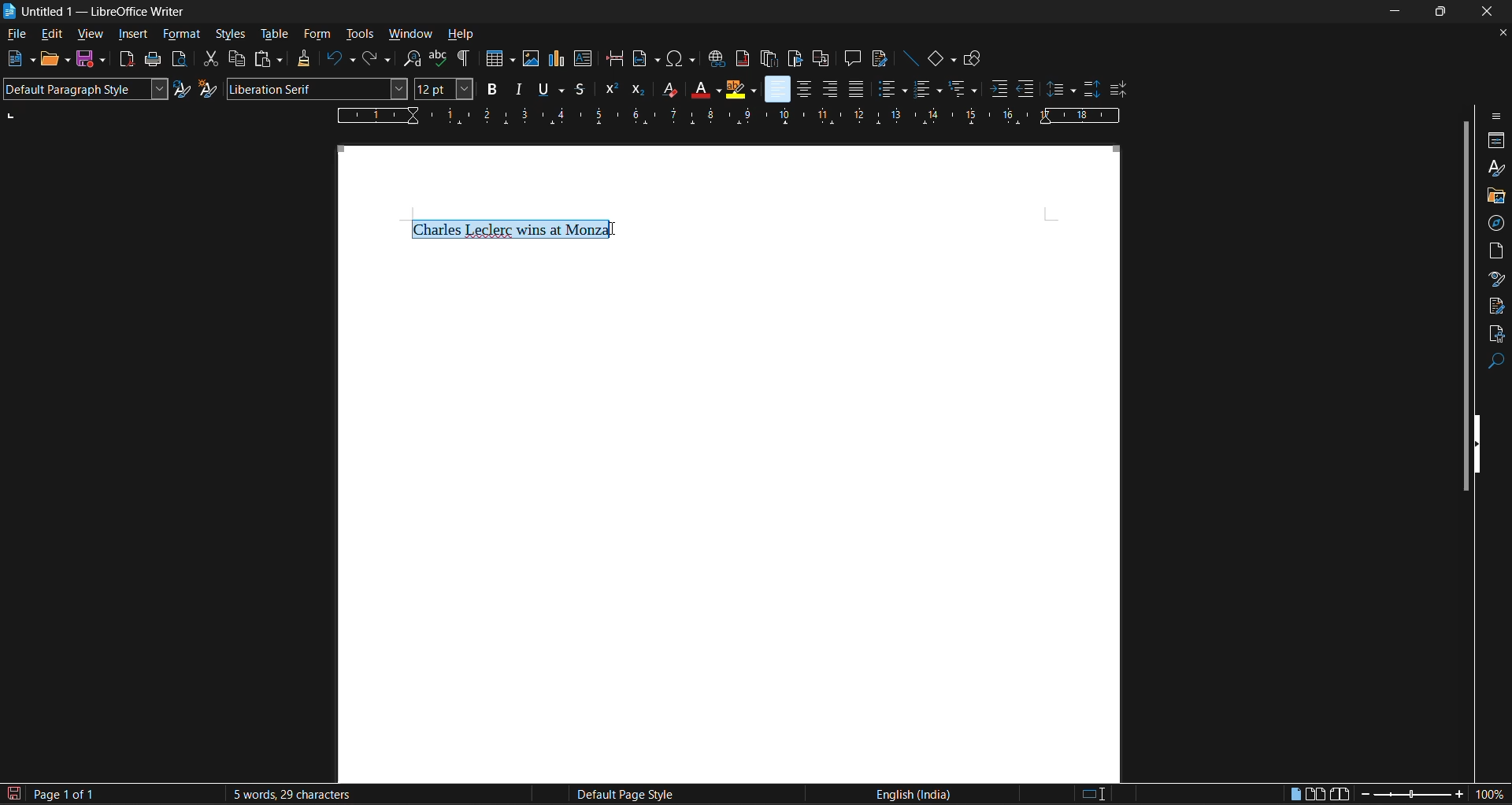 Image resolution: width=1512 pixels, height=805 pixels. Describe the element at coordinates (829, 89) in the screenshot. I see `align right` at that location.